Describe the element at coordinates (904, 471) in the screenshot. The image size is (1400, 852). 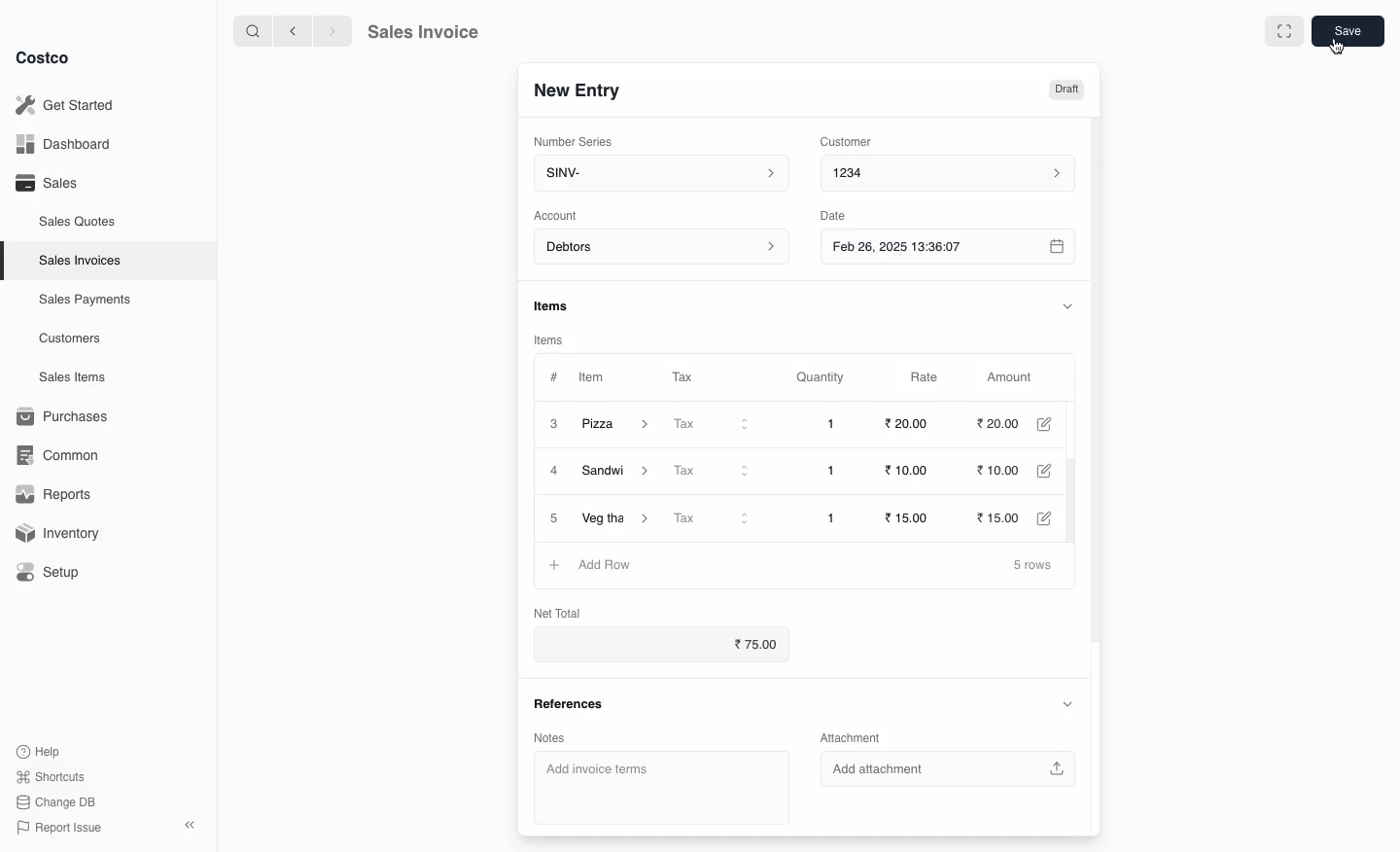
I see `10.00` at that location.